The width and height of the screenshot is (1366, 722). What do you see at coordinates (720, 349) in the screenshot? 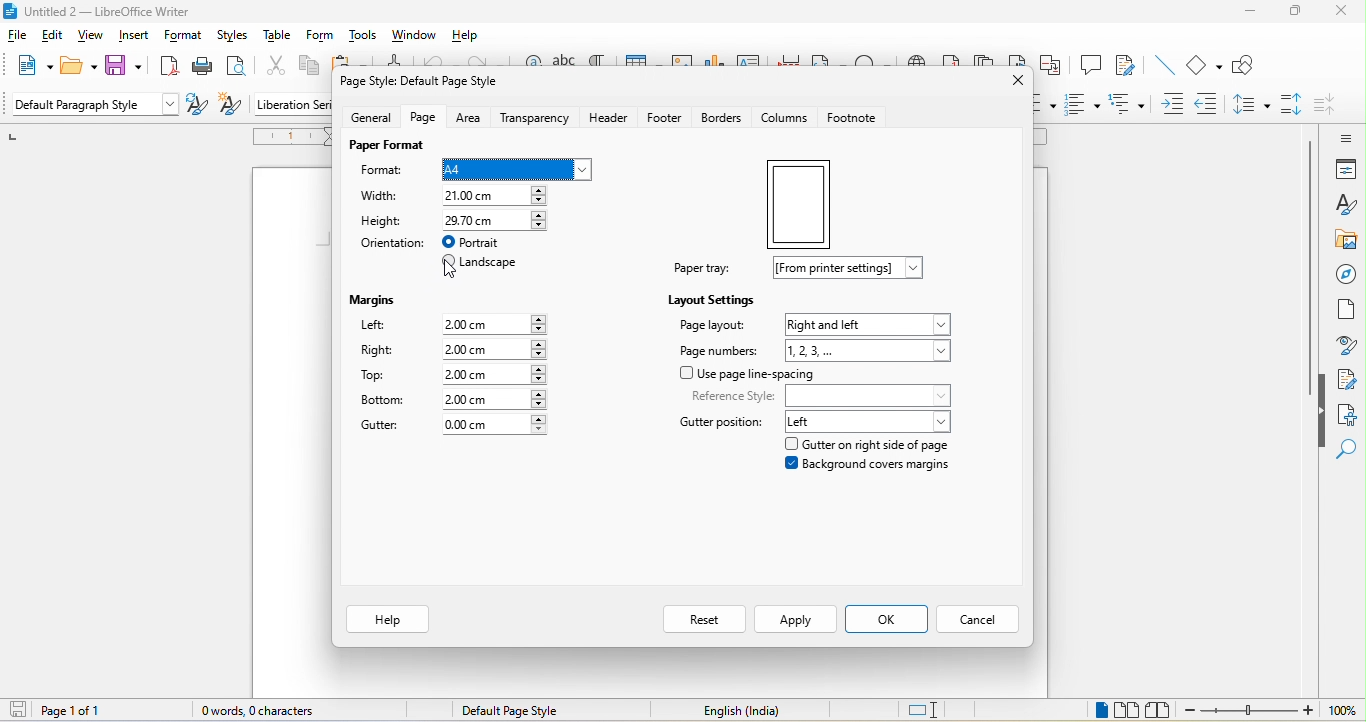
I see `page number` at bounding box center [720, 349].